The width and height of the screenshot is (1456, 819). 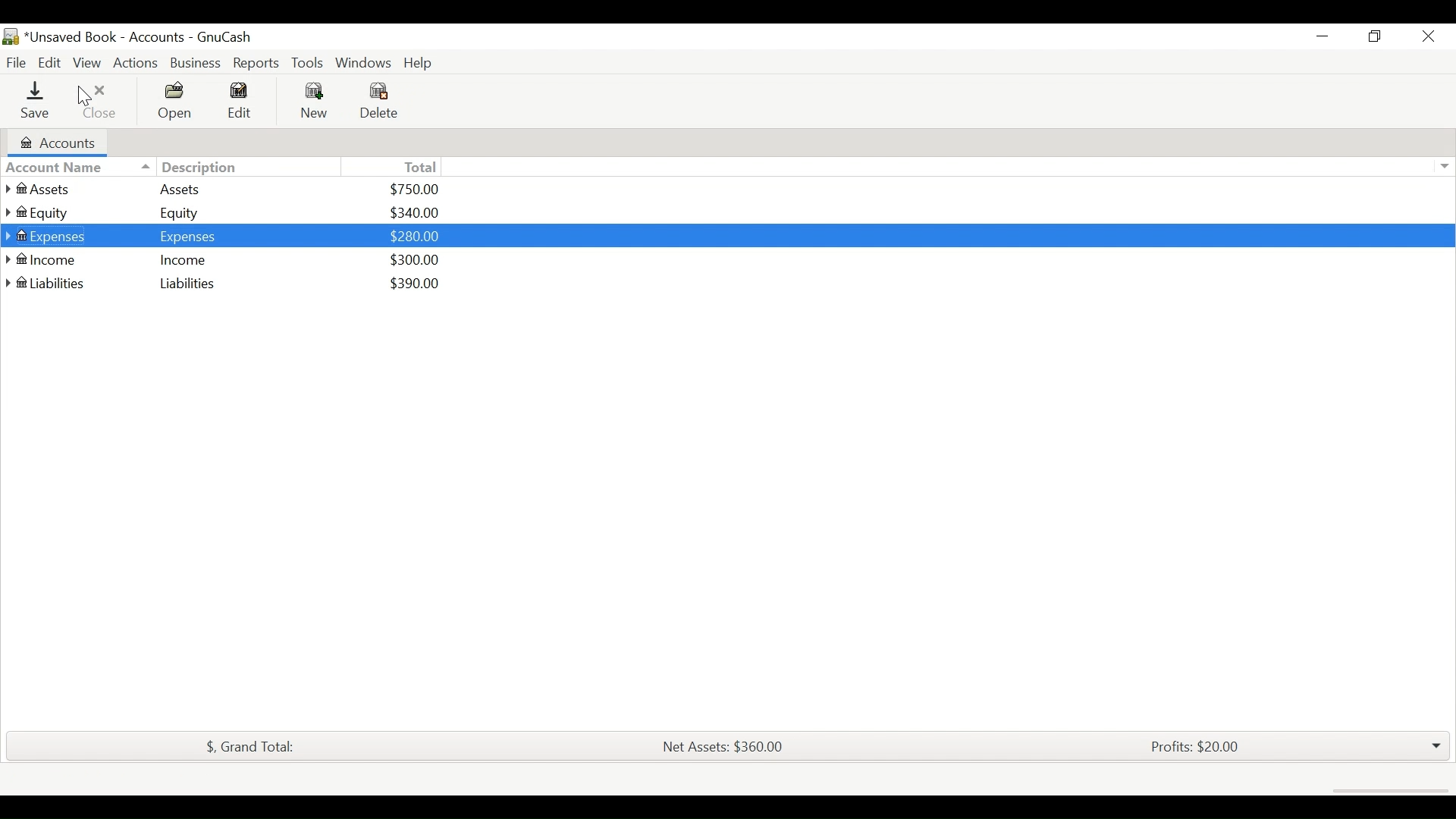 I want to click on $750.00, so click(x=416, y=188).